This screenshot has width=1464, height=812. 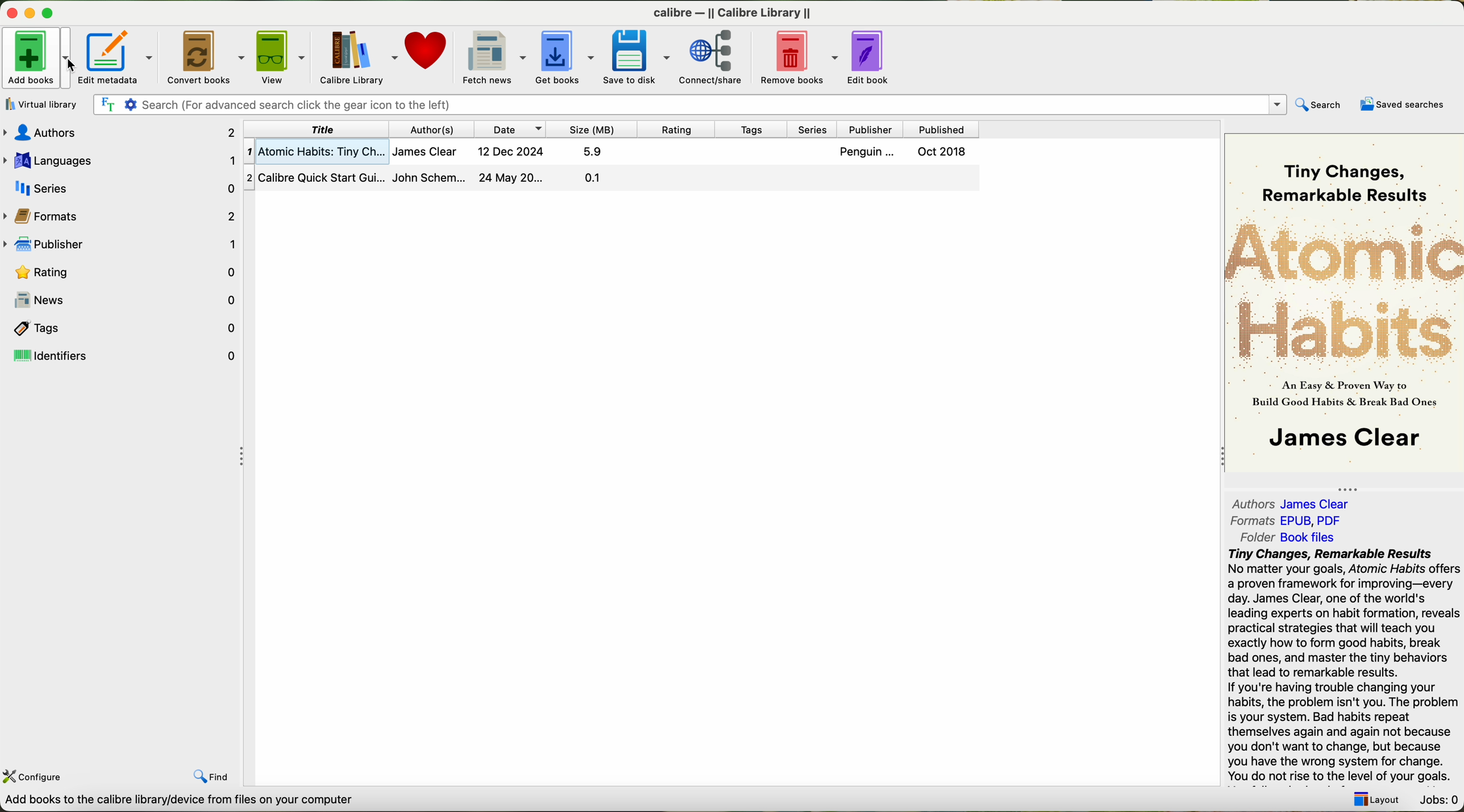 What do you see at coordinates (1376, 800) in the screenshot?
I see `Layout` at bounding box center [1376, 800].